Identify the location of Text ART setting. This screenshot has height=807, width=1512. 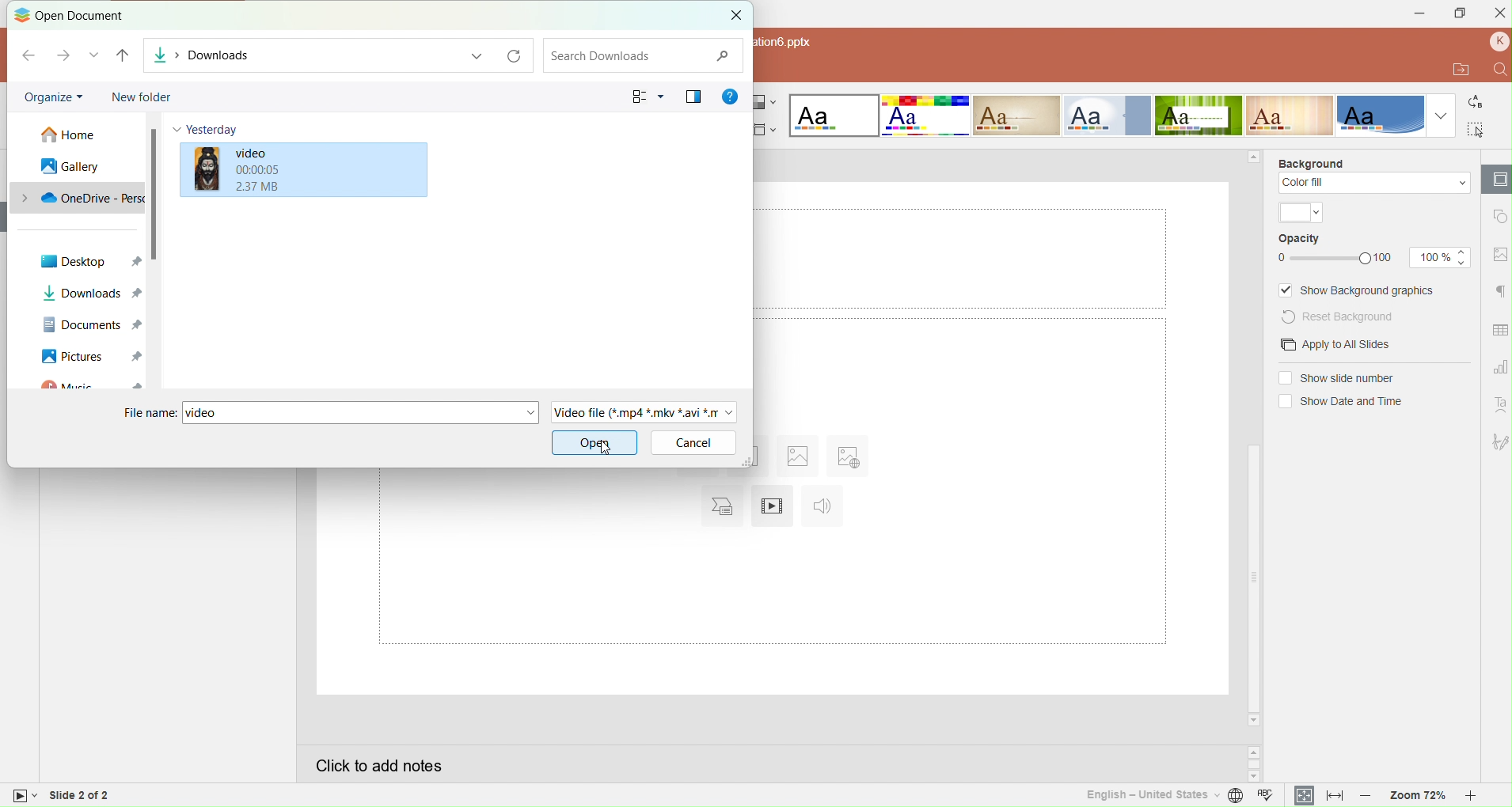
(1497, 404).